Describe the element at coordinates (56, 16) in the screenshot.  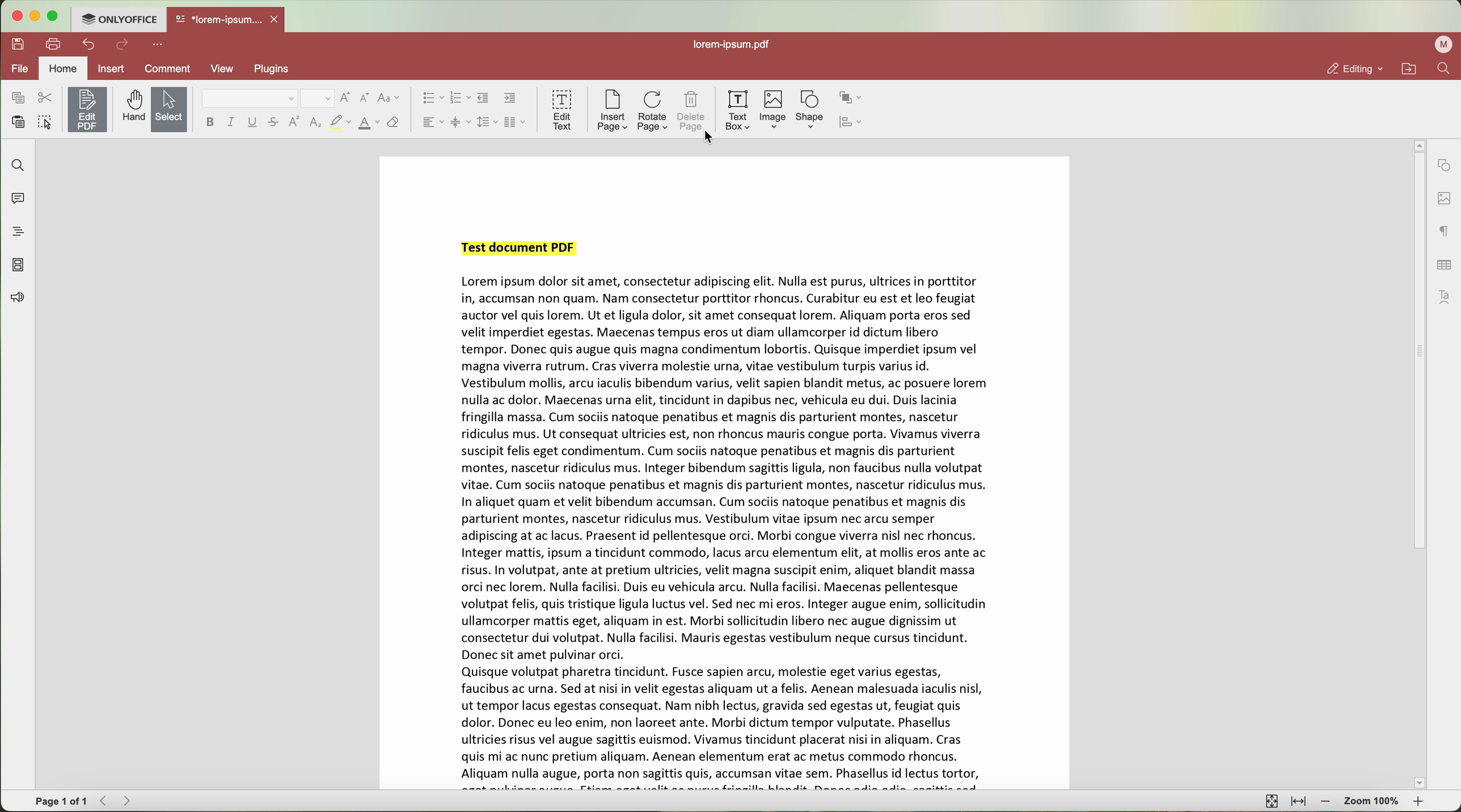
I see `maximize program` at that location.